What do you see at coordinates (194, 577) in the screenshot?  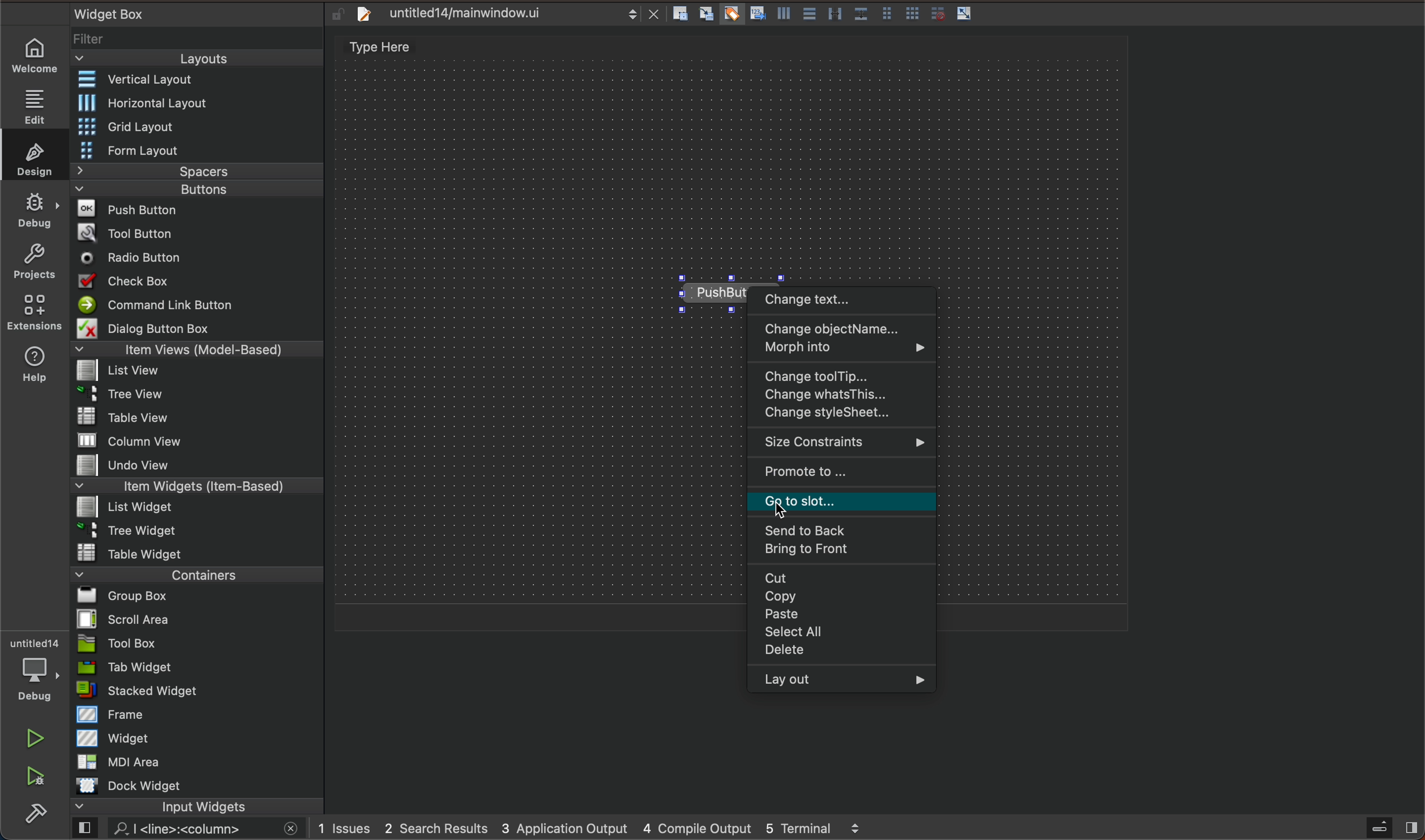 I see `containers` at bounding box center [194, 577].